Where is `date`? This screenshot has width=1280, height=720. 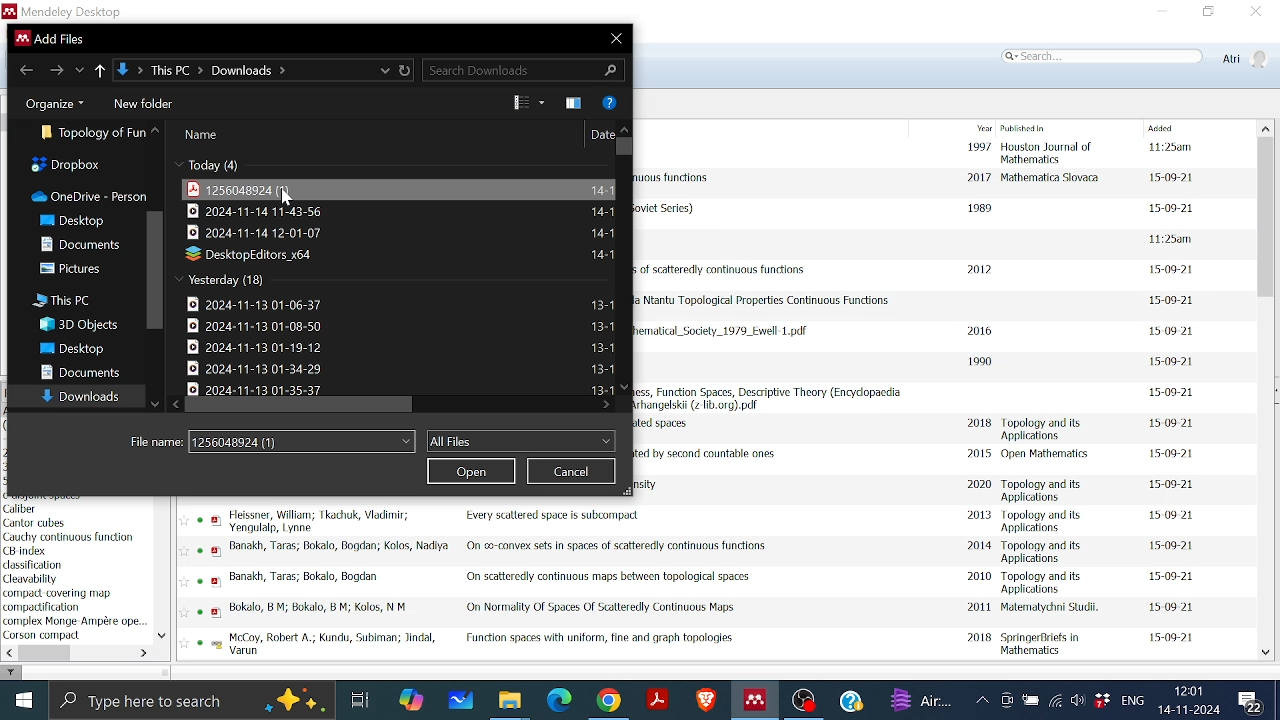
date is located at coordinates (1172, 148).